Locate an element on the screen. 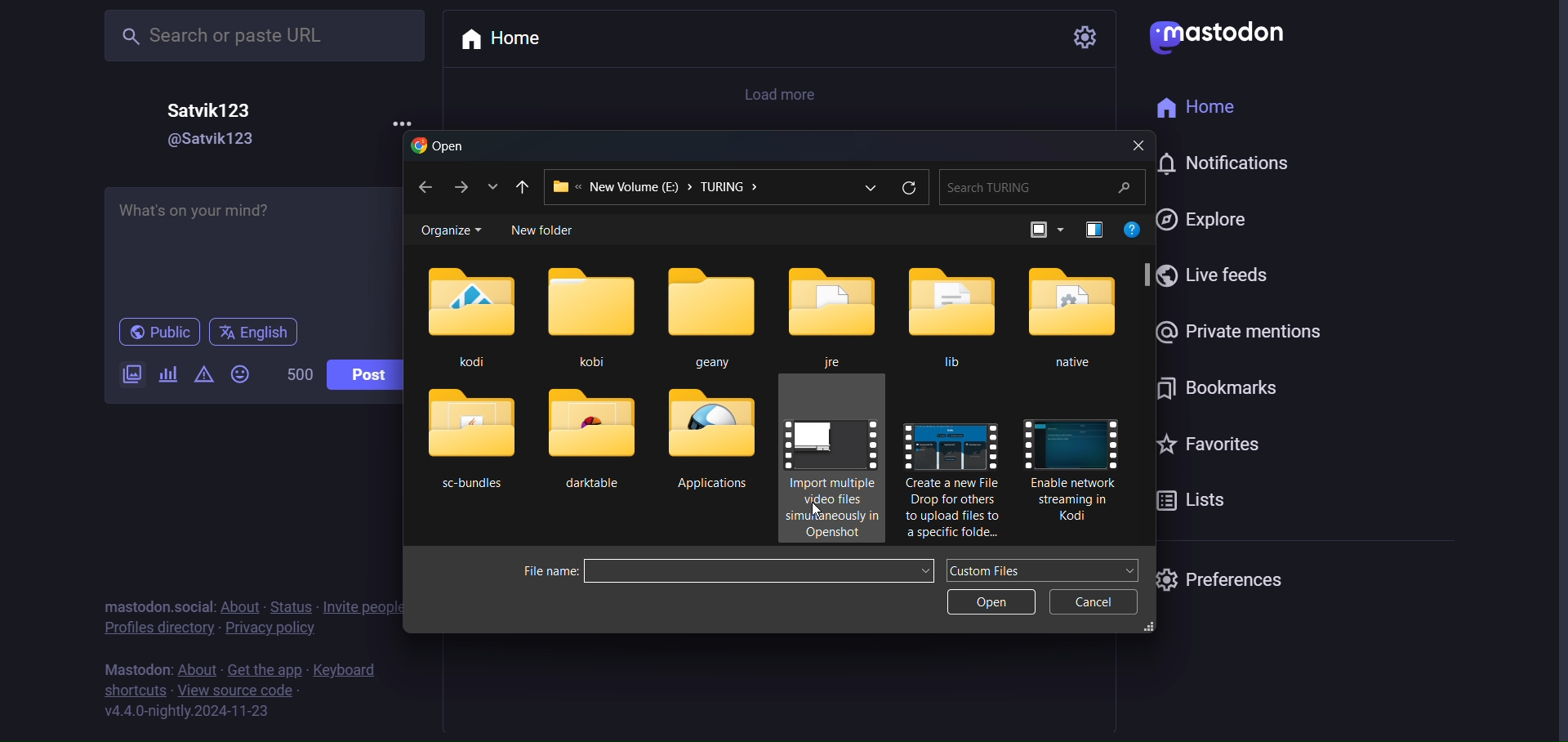  mastodon is located at coordinates (1220, 33).